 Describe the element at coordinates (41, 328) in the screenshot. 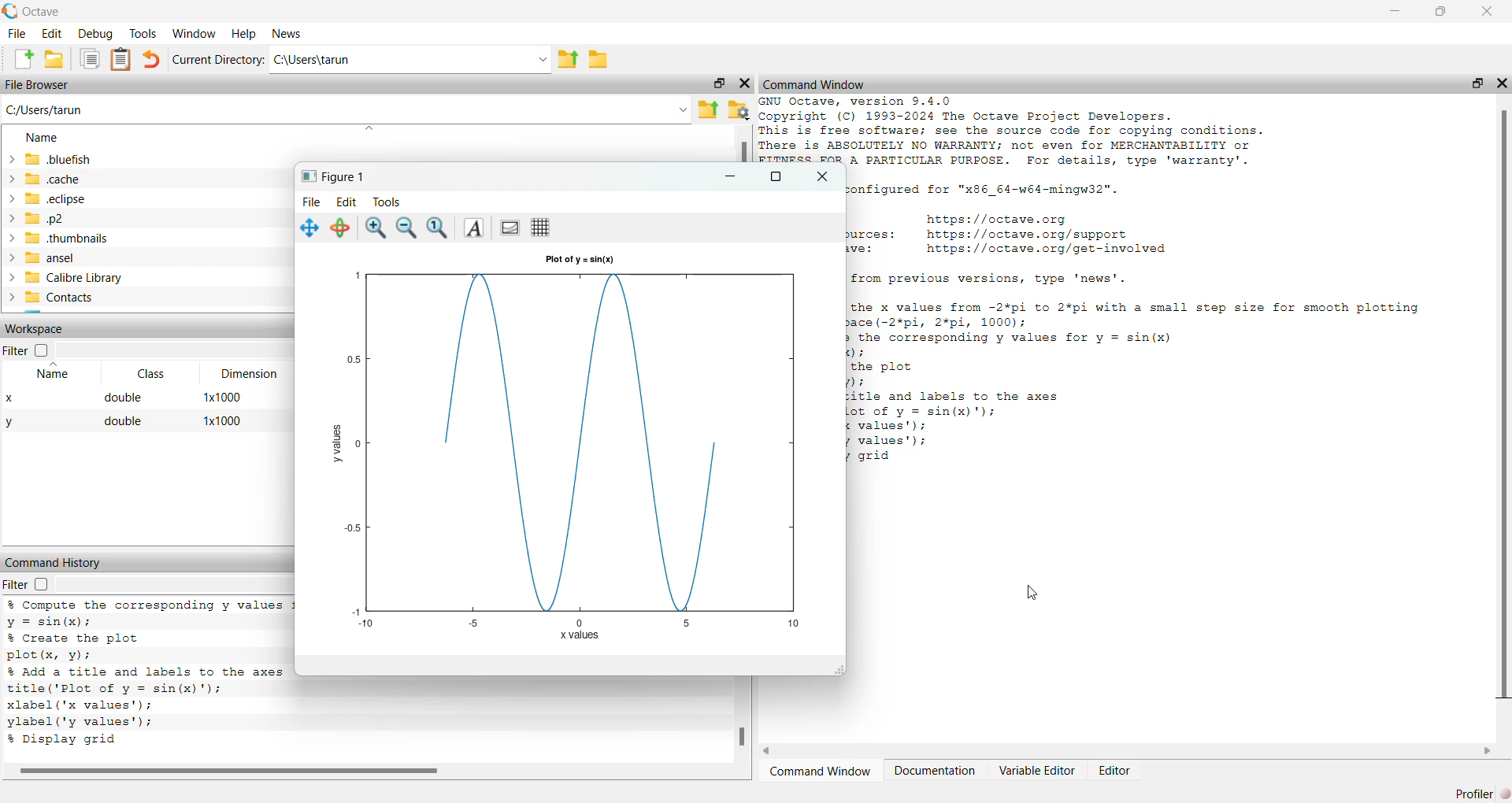

I see `Workspace` at that location.